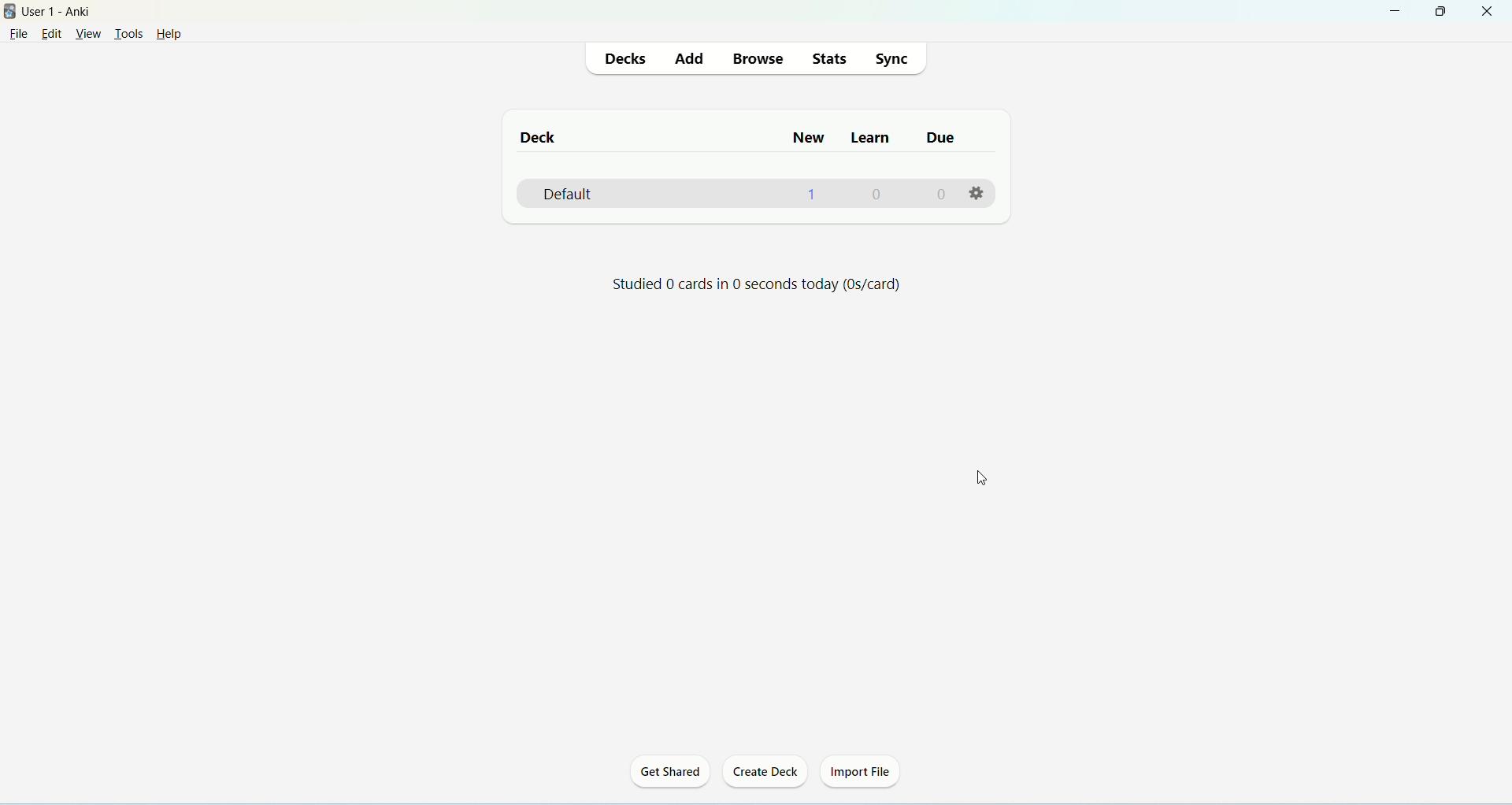  Describe the element at coordinates (630, 59) in the screenshot. I see `decks` at that location.